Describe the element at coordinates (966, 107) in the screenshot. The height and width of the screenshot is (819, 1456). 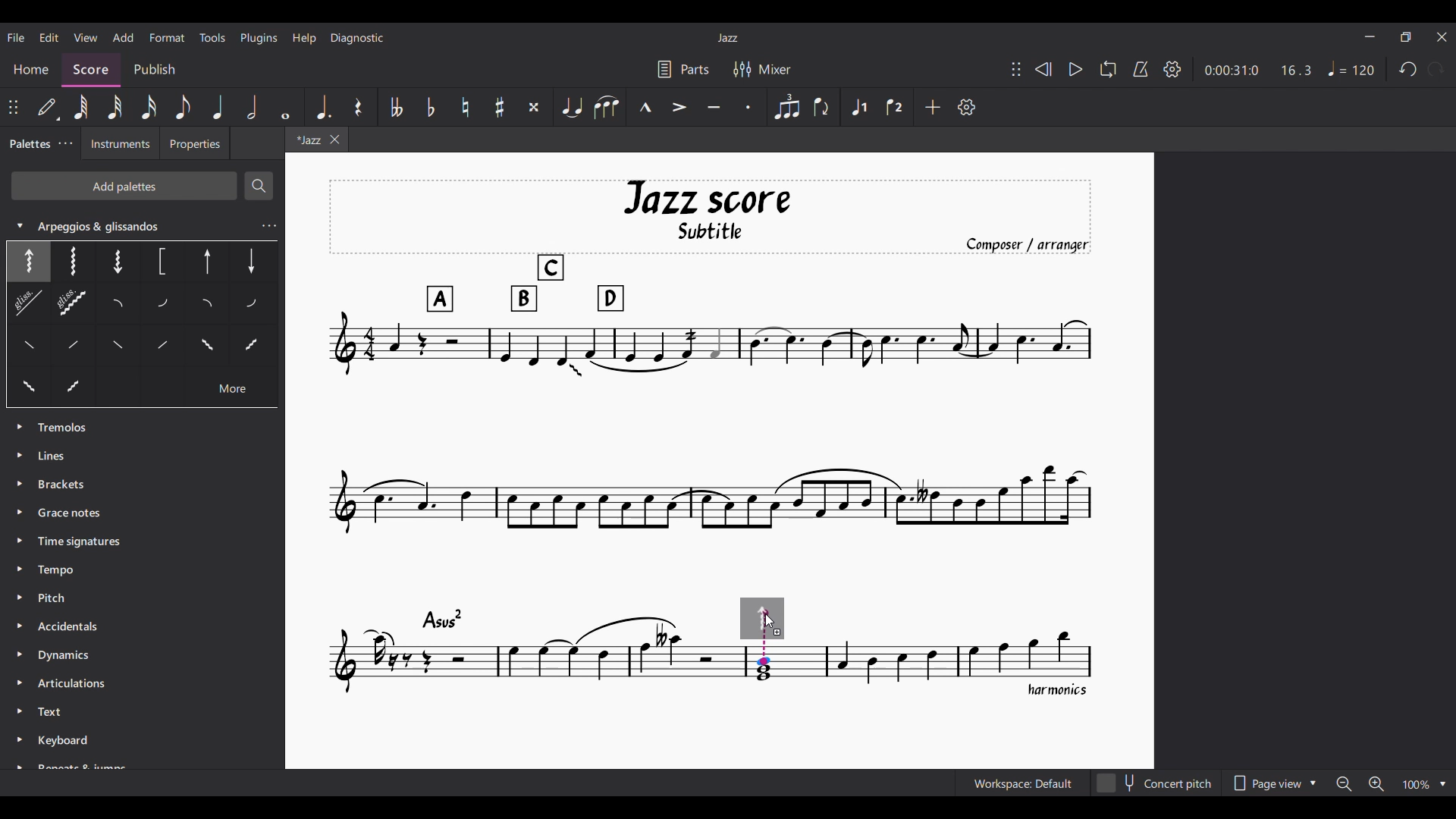
I see `Customization settings` at that location.